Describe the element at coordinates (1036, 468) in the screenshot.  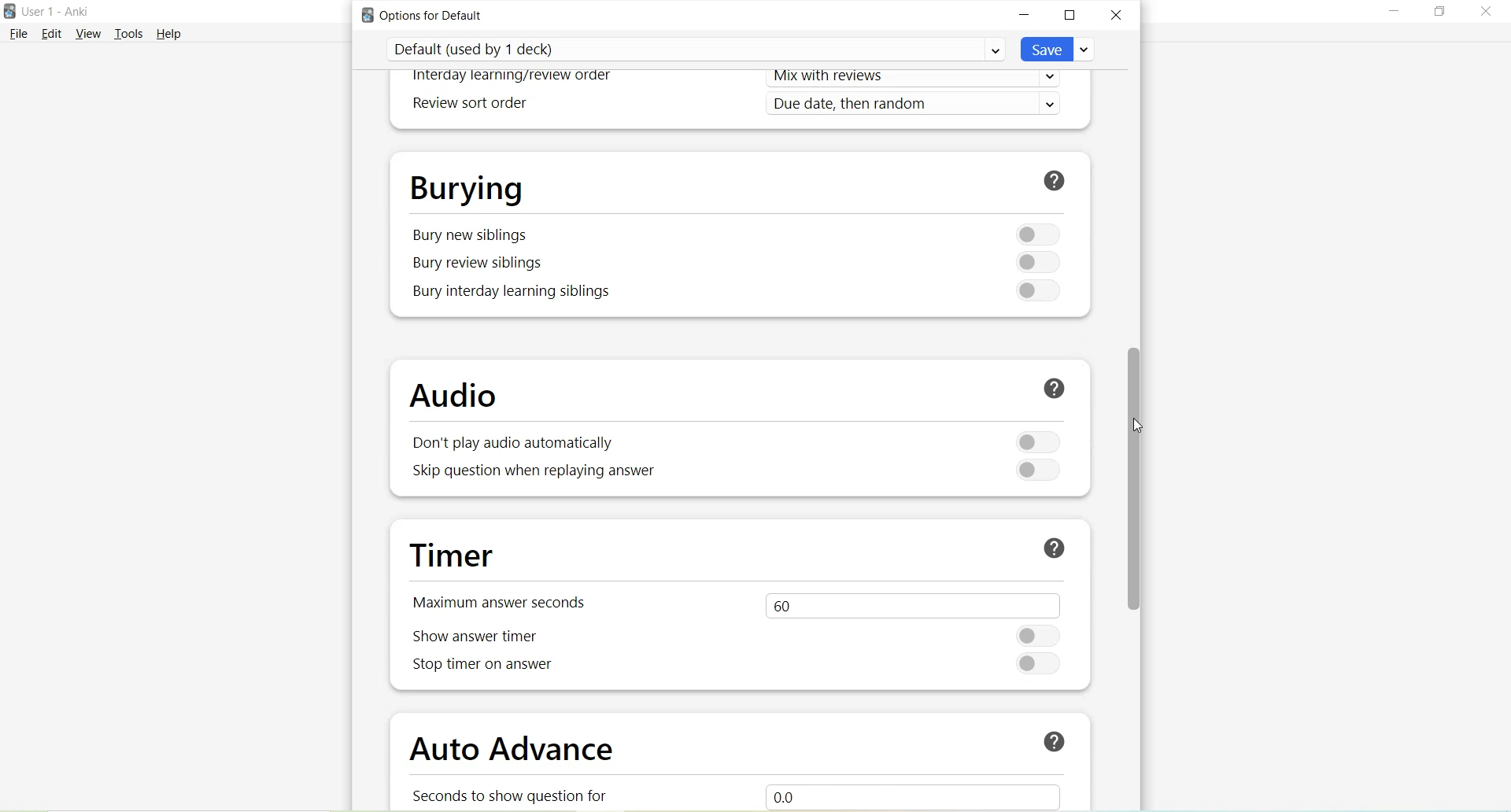
I see `Toggle` at that location.